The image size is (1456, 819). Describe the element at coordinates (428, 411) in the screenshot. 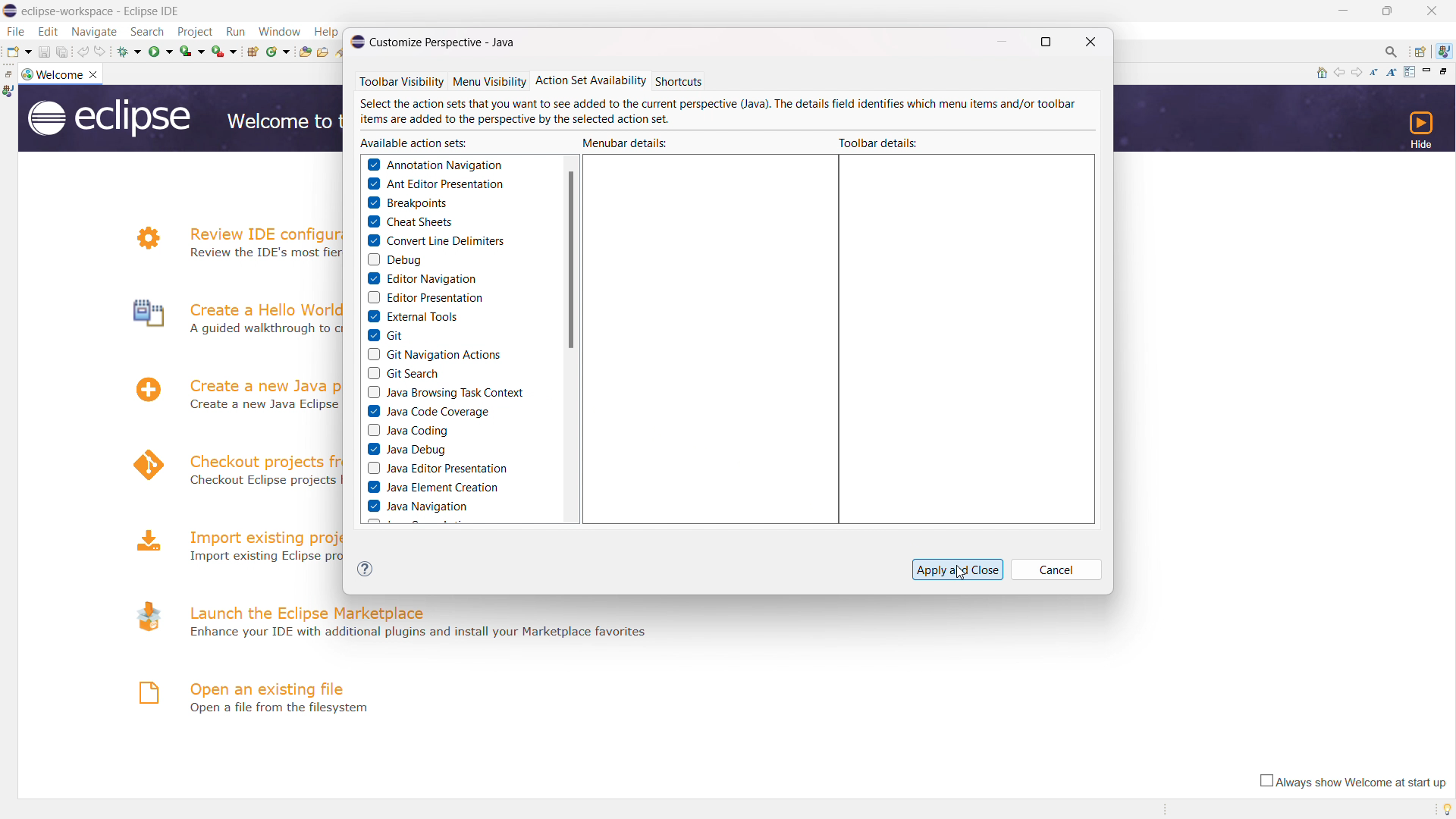

I see `java code coverage` at that location.